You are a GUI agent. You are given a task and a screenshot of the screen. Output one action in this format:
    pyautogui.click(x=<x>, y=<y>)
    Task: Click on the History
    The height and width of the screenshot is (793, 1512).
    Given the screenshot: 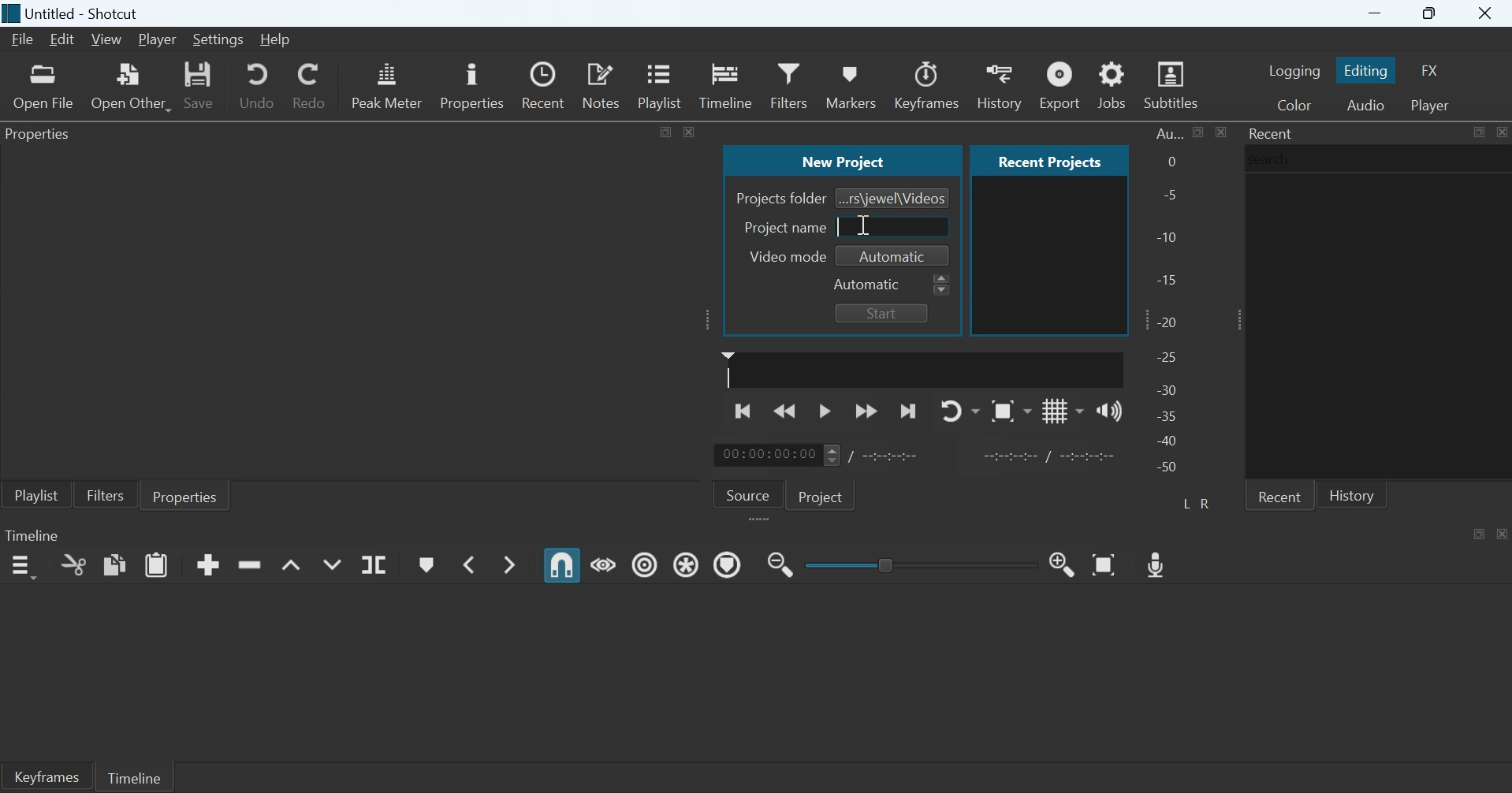 What is the action you would take?
    pyautogui.click(x=1352, y=494)
    